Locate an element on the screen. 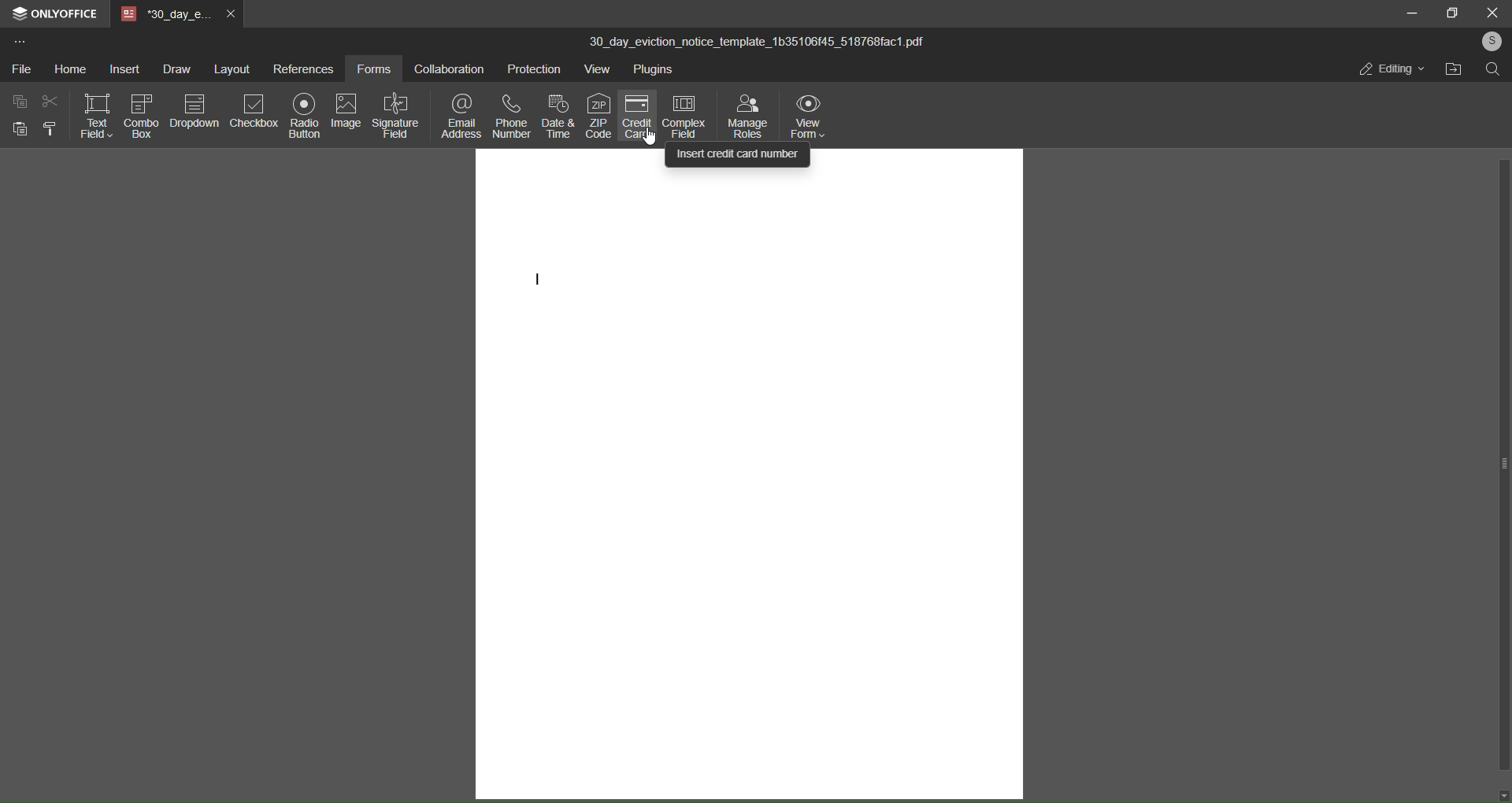  home is located at coordinates (68, 69).